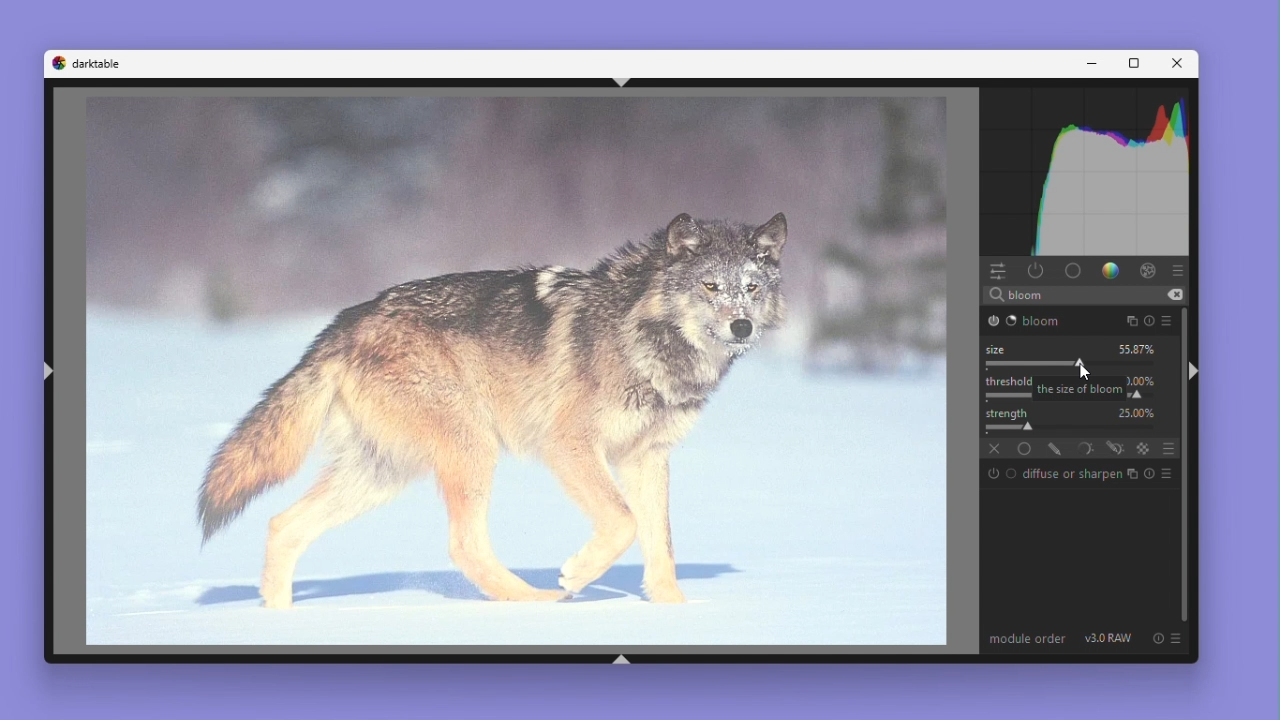 The height and width of the screenshot is (720, 1280). I want to click on cursor, so click(1092, 371).